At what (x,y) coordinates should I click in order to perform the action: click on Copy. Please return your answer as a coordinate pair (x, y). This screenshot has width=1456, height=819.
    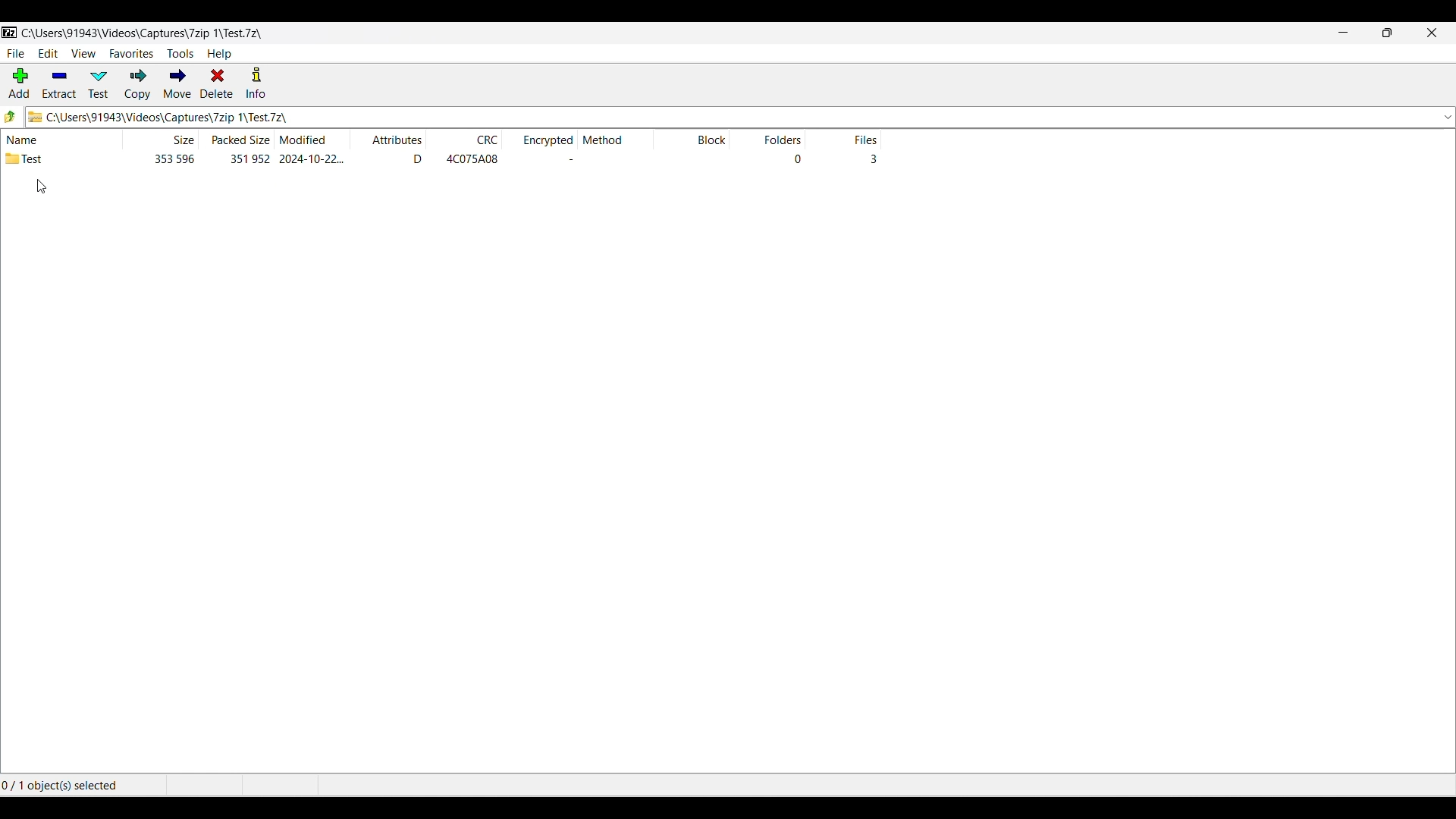
    Looking at the image, I should click on (138, 84).